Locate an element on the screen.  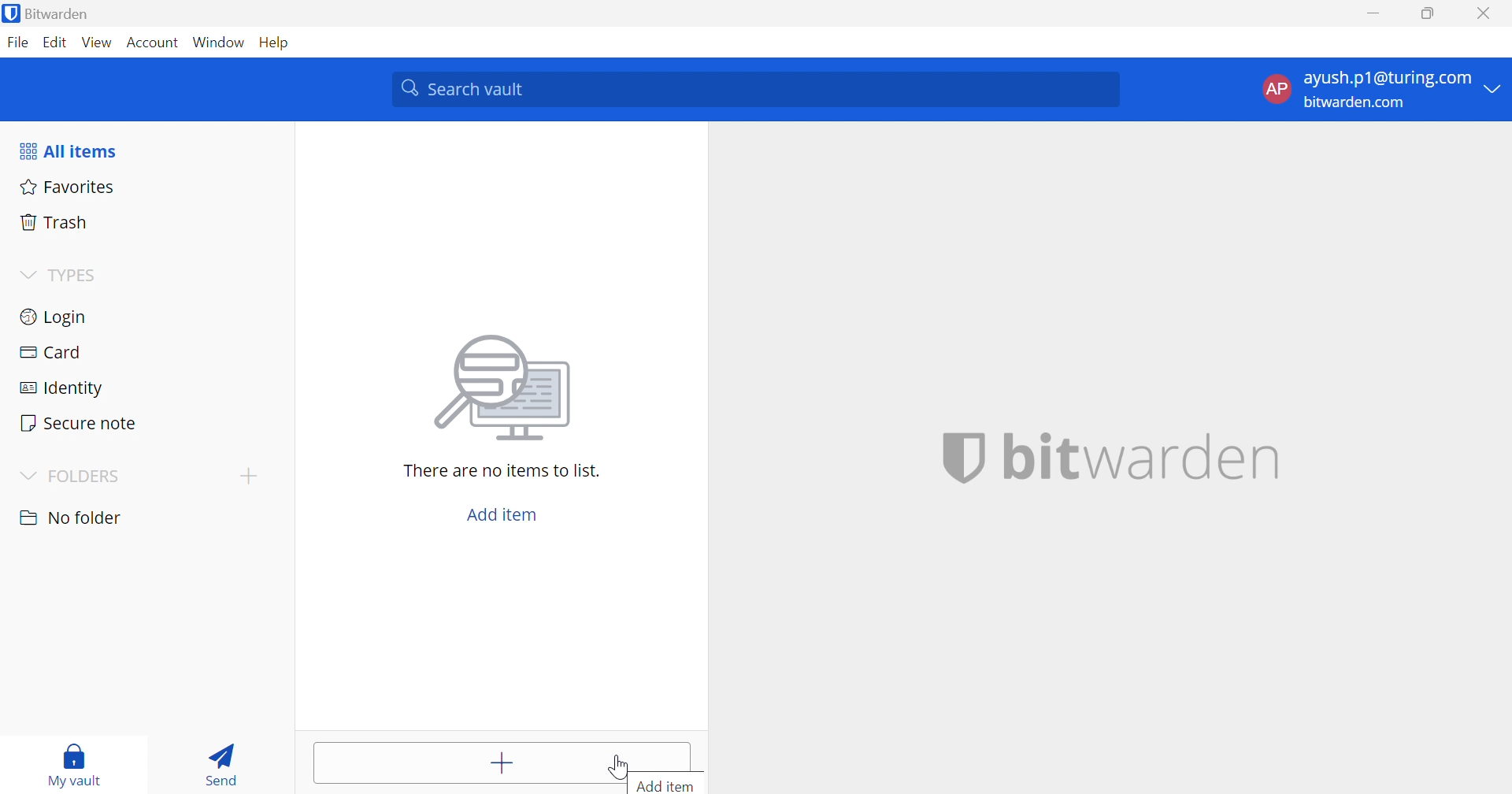
Secure note is located at coordinates (77, 425).